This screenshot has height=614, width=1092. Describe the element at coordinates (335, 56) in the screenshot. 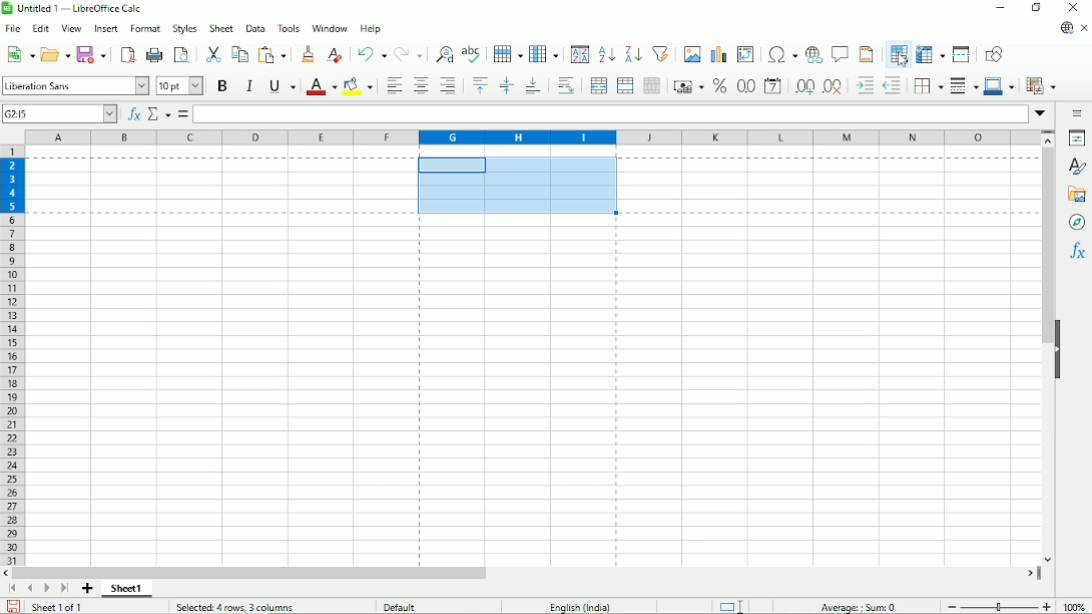

I see `Clear direct formatting` at that location.